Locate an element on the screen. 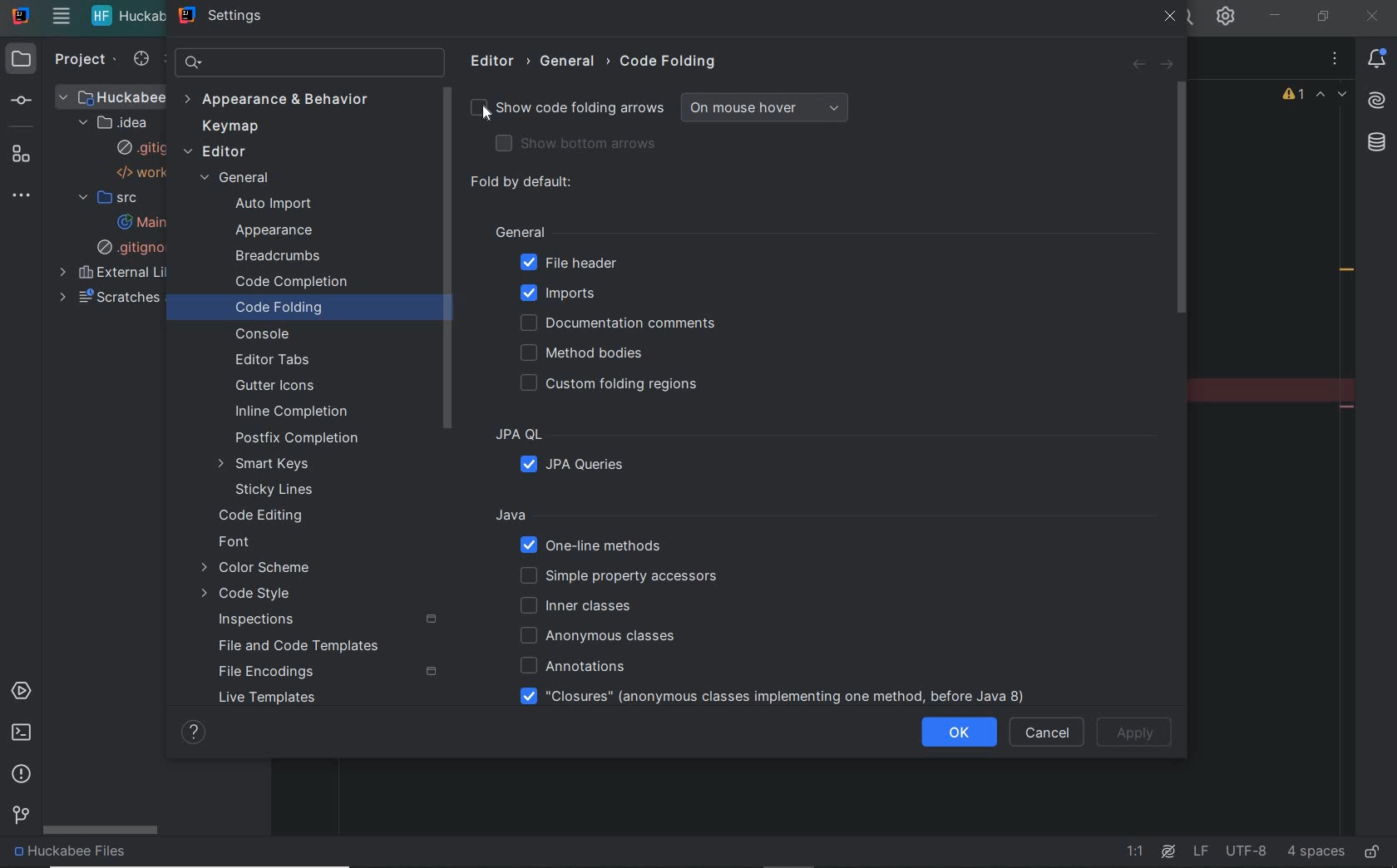 This screenshot has width=1397, height=868. method bodies is located at coordinates (591, 355).